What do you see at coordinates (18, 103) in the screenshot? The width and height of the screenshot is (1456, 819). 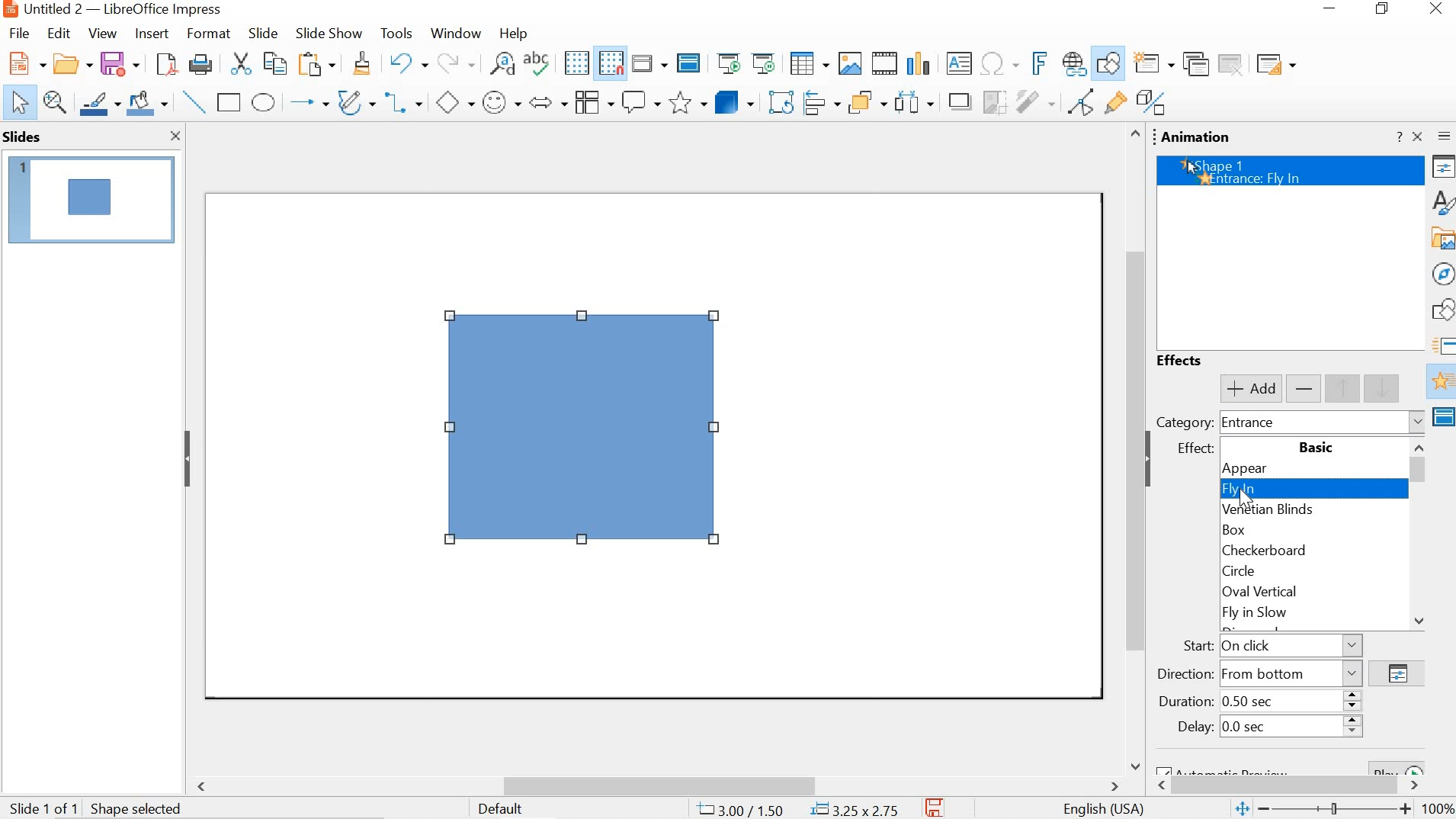 I see `select` at bounding box center [18, 103].